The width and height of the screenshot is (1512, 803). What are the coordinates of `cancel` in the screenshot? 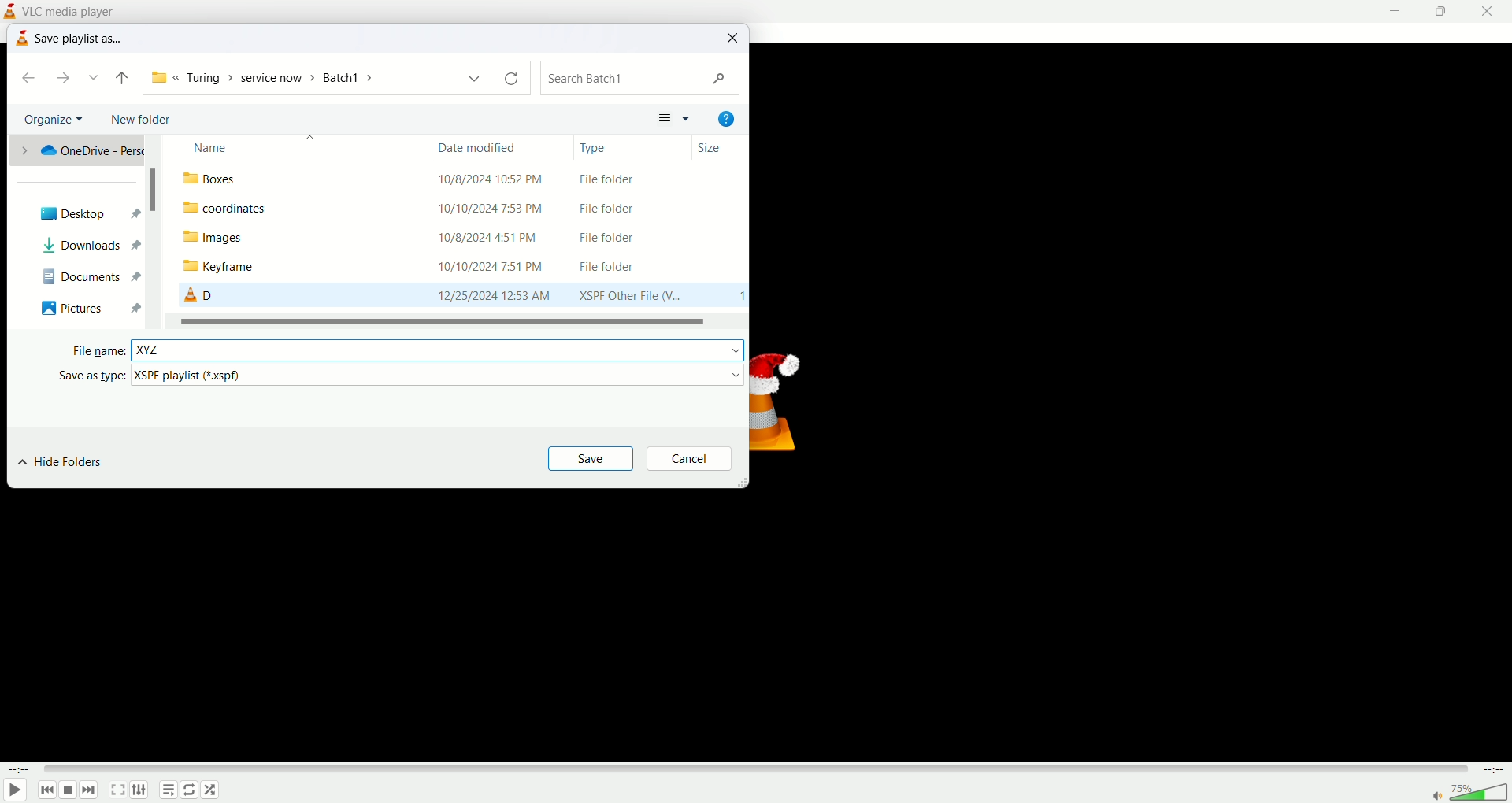 It's located at (690, 457).